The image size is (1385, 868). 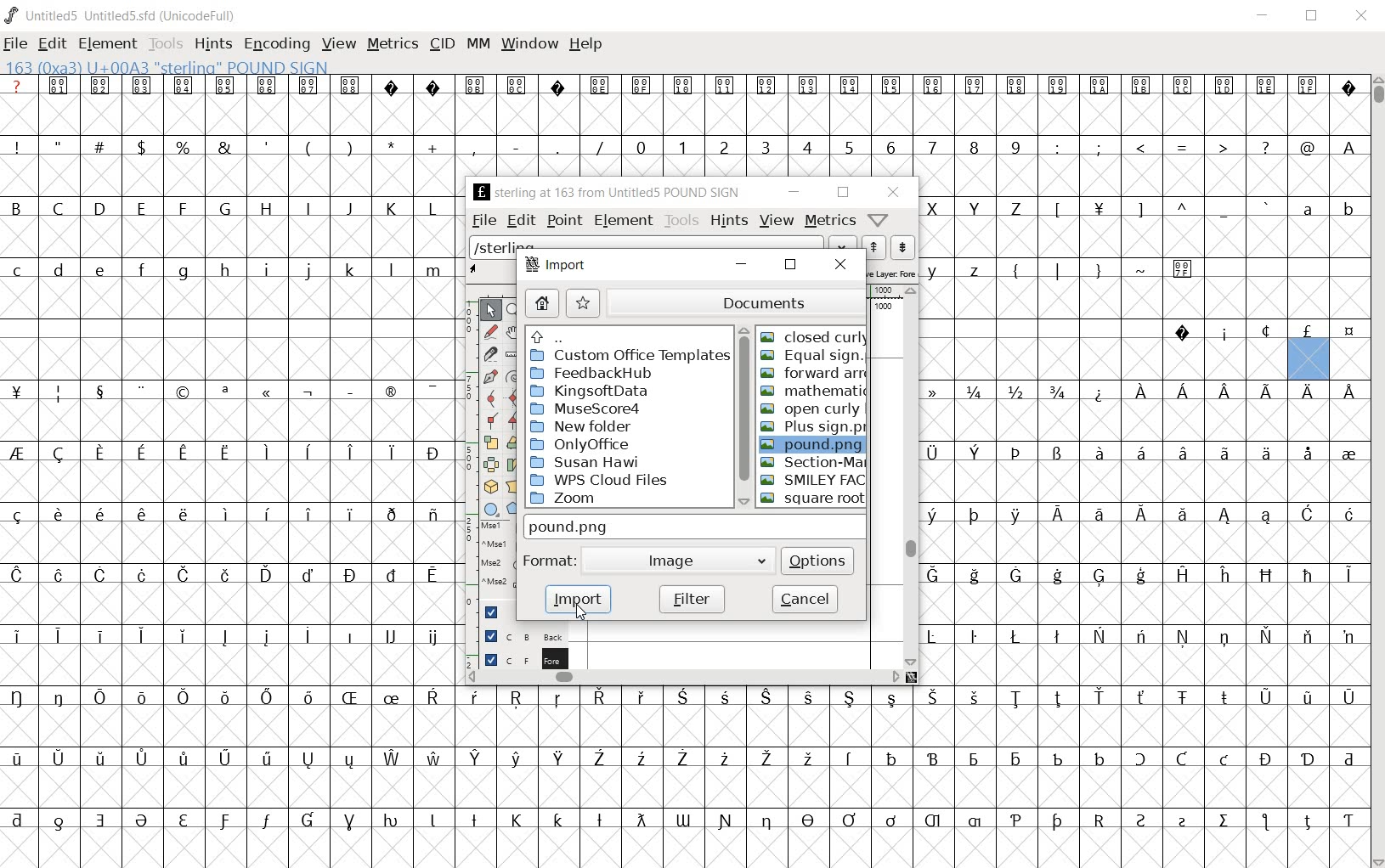 I want to click on Symbol, so click(x=1100, y=636).